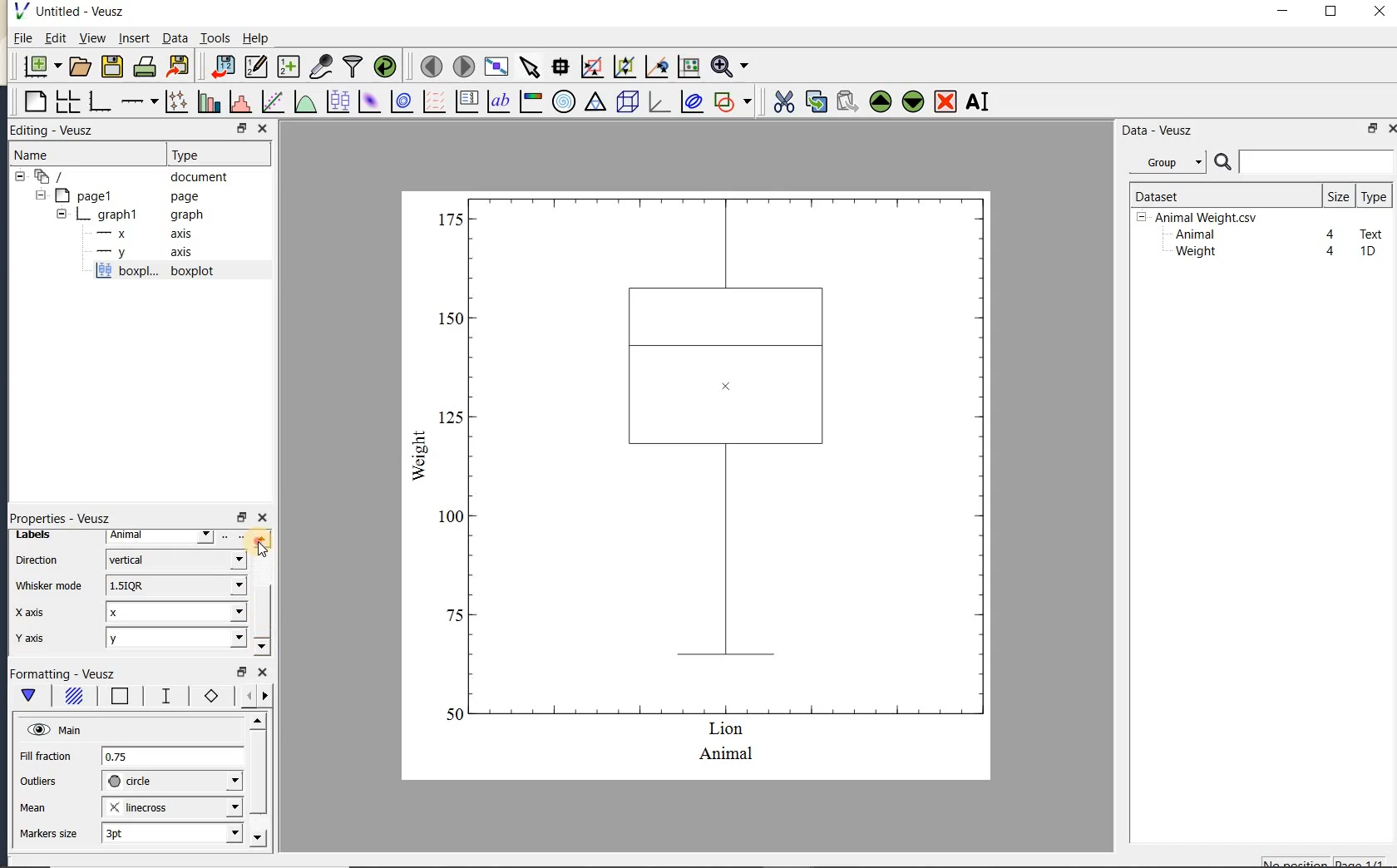 This screenshot has width=1397, height=868. Describe the element at coordinates (122, 215) in the screenshot. I see `graph1` at that location.